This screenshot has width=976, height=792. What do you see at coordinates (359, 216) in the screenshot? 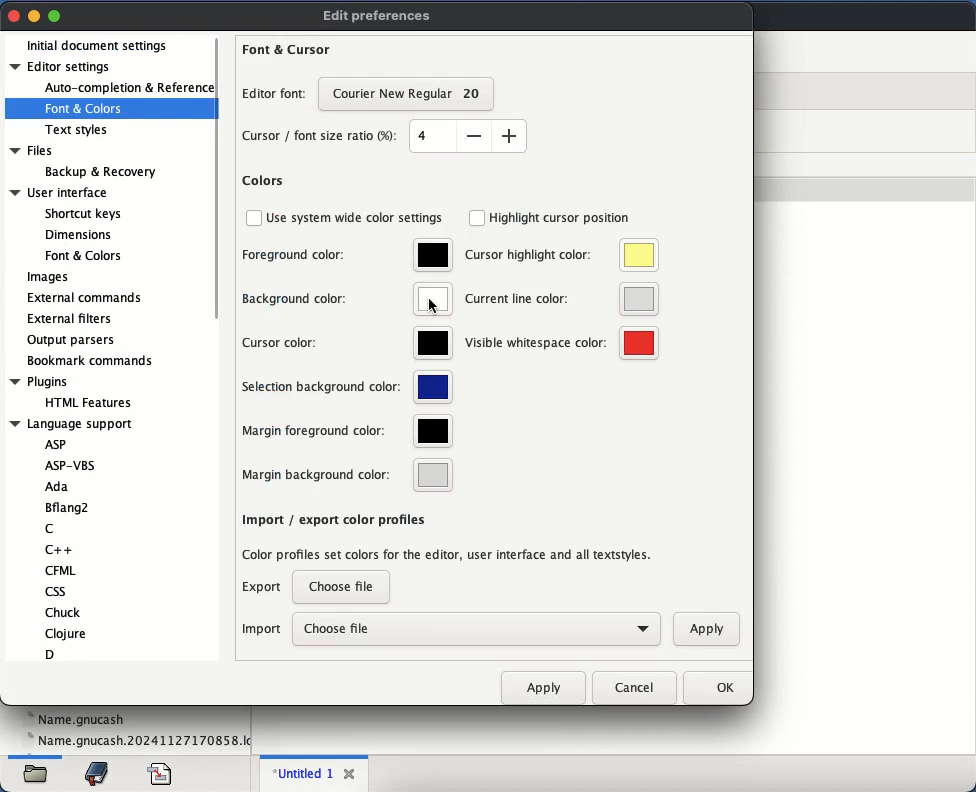
I see `use system wide color settings` at bounding box center [359, 216].